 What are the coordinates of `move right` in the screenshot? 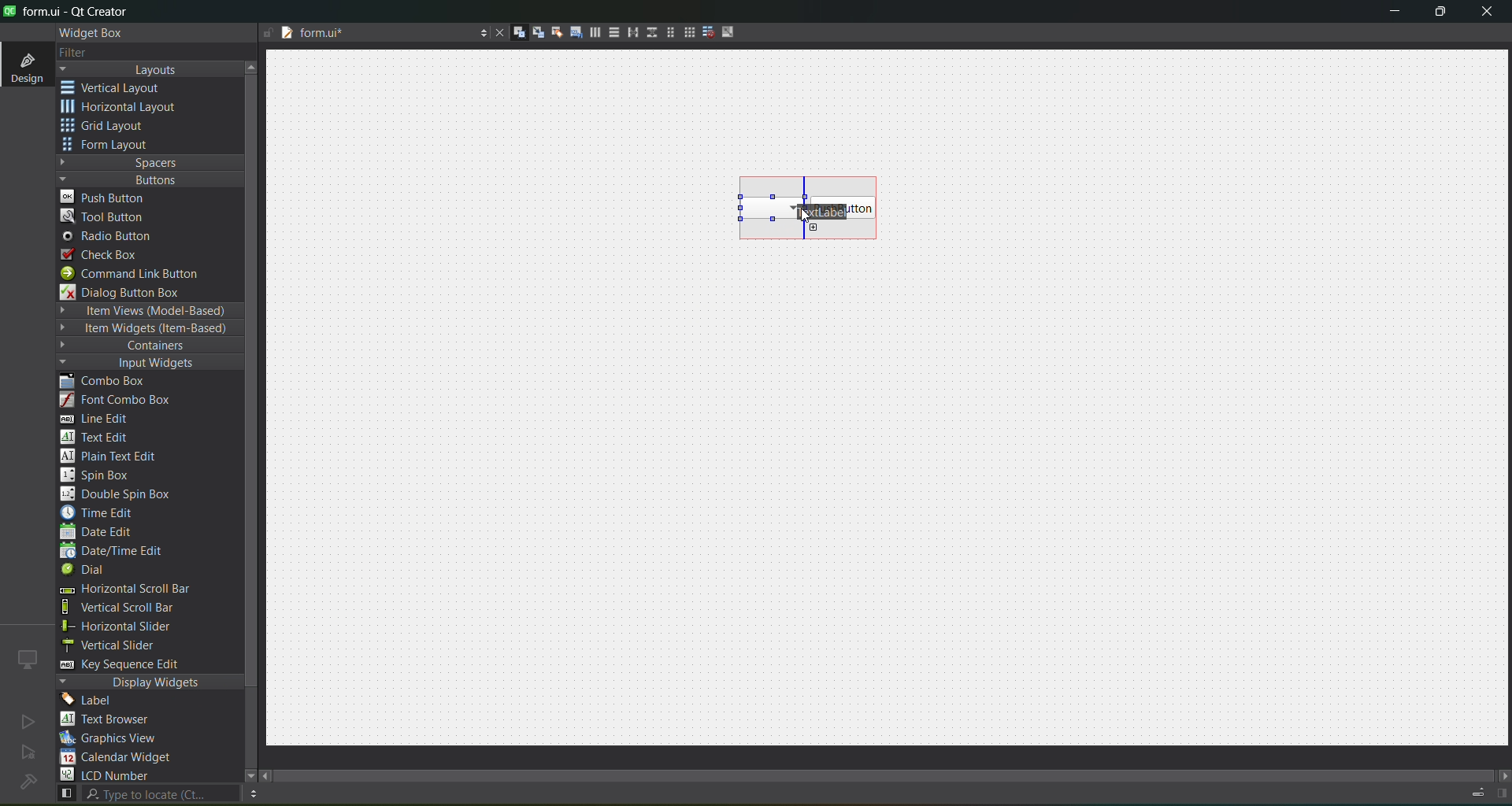 It's located at (1503, 777).